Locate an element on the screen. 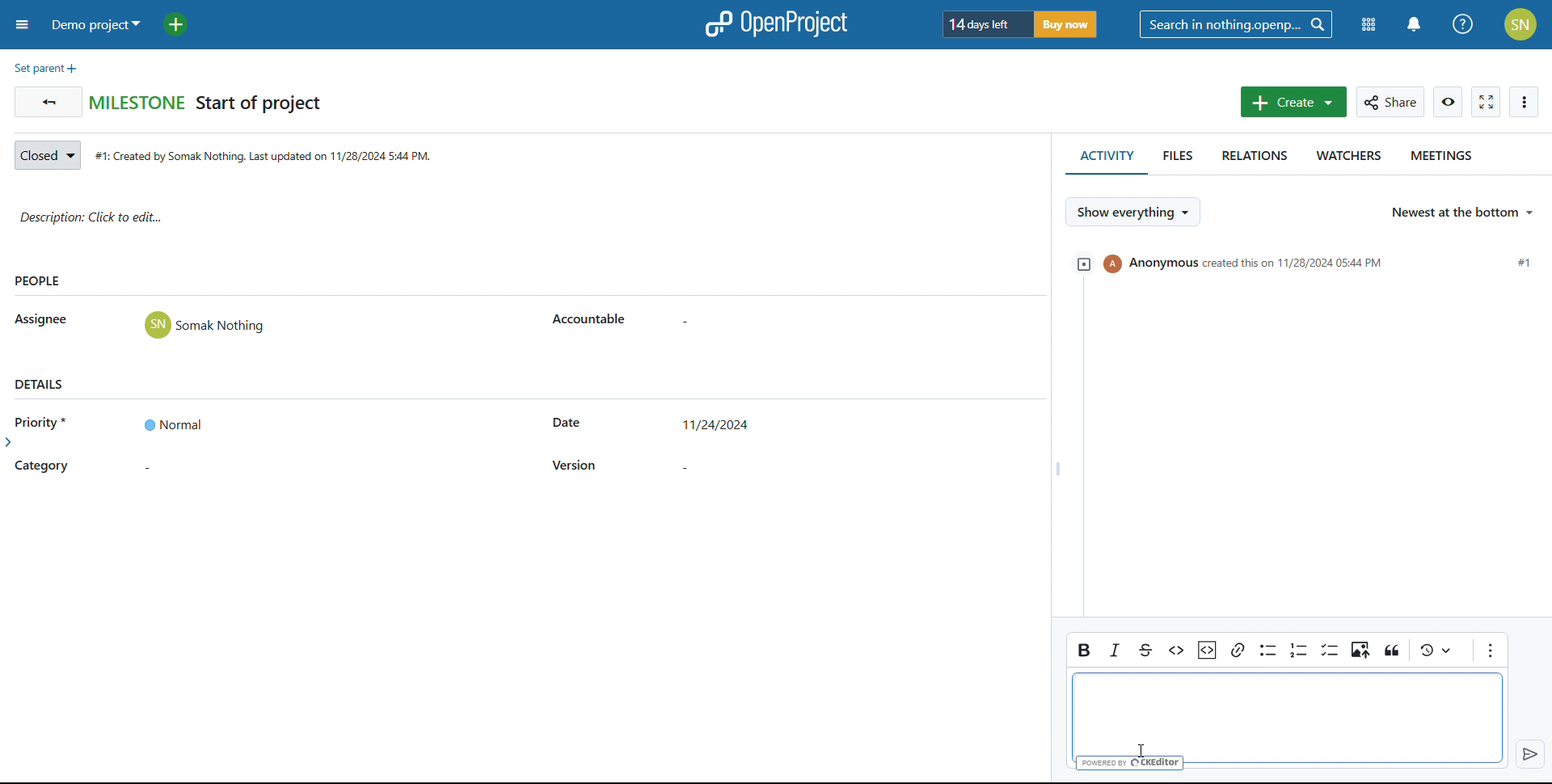 The image size is (1552, 784). bullet list is located at coordinates (1267, 651).